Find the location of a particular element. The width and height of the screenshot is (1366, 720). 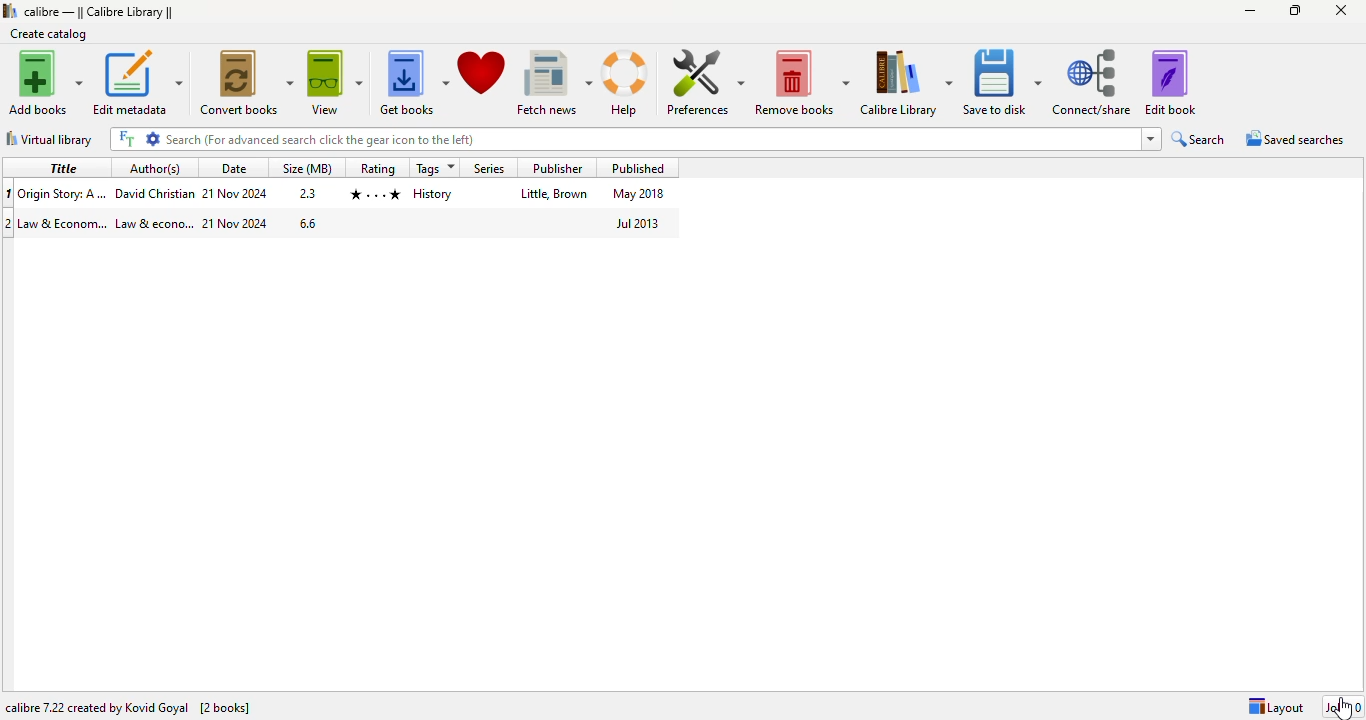

calibre 7.22 created by Kovid Goyal is located at coordinates (95, 708).